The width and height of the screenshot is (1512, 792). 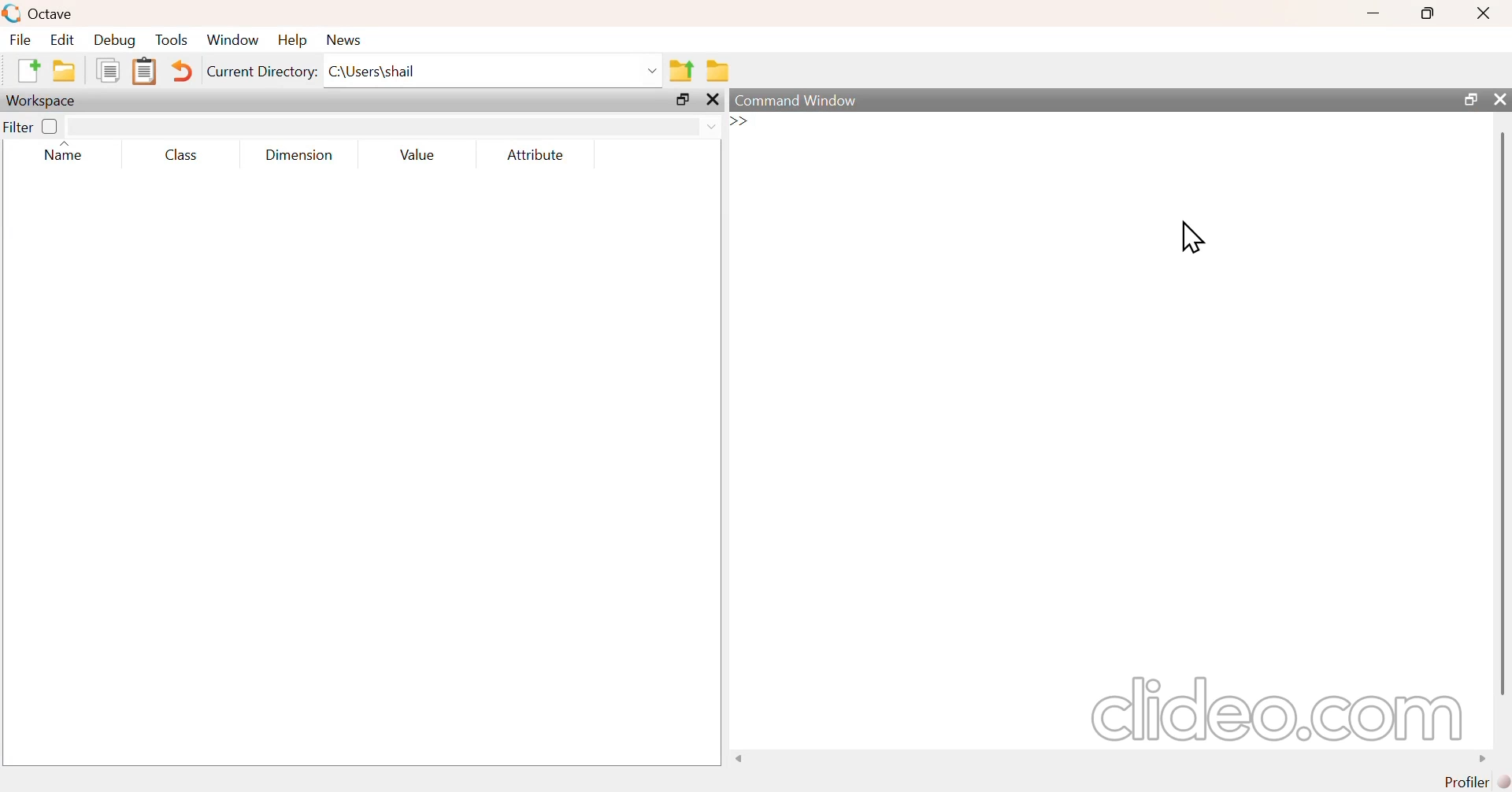 What do you see at coordinates (1117, 426) in the screenshot?
I see `empty area` at bounding box center [1117, 426].